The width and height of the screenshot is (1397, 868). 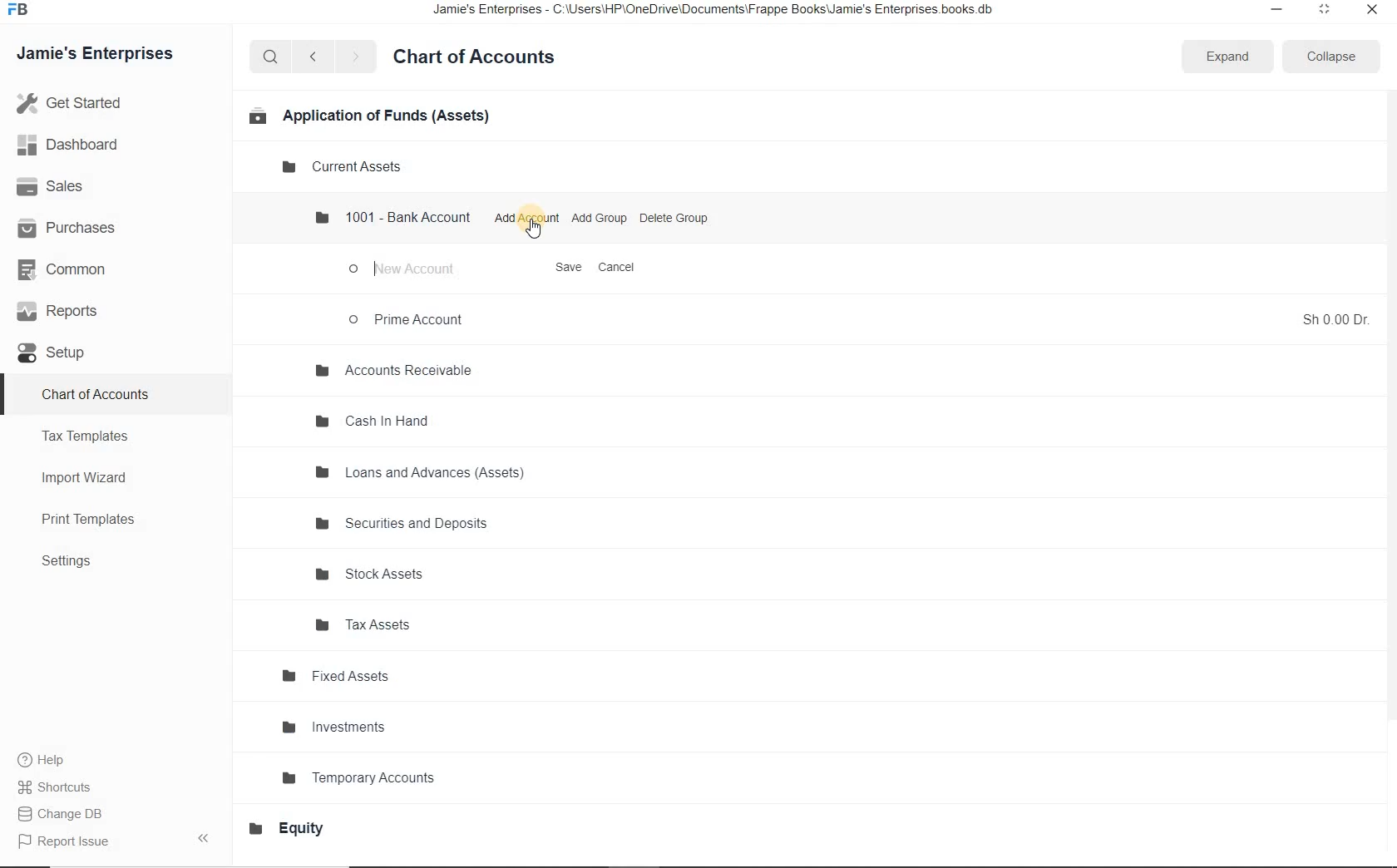 I want to click on backward, so click(x=312, y=57).